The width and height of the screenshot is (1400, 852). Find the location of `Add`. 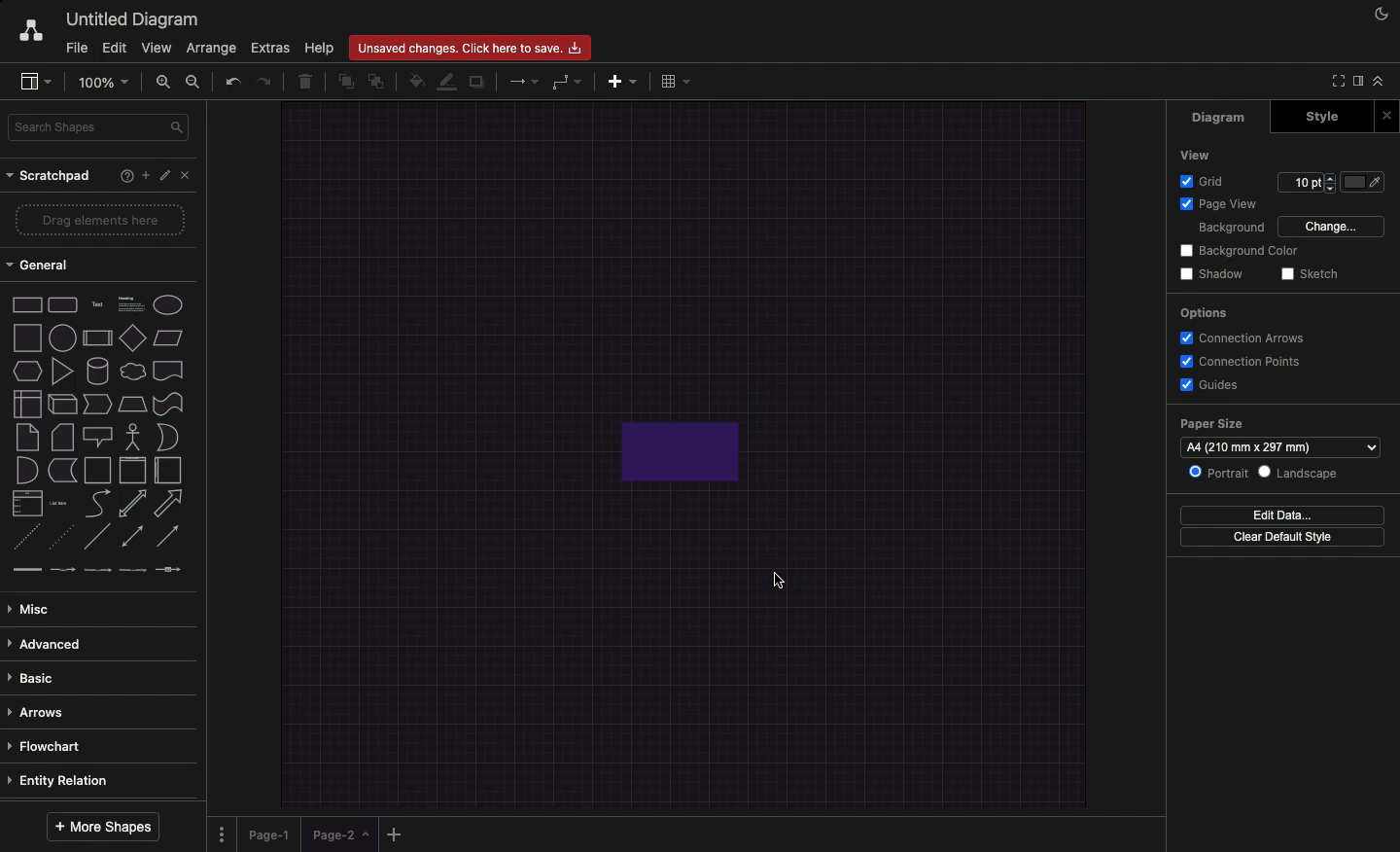

Add is located at coordinates (142, 175).